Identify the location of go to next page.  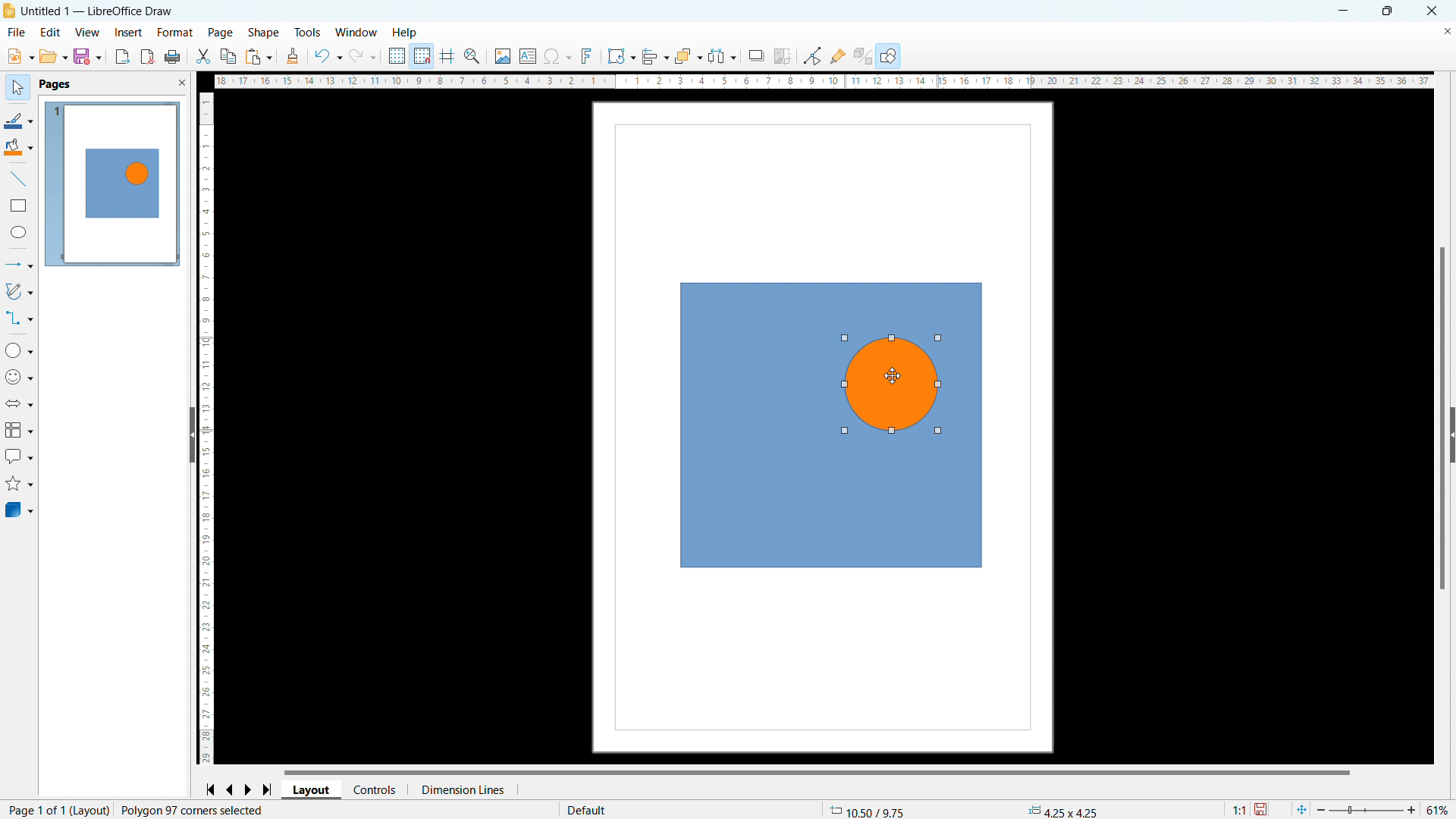
(248, 789).